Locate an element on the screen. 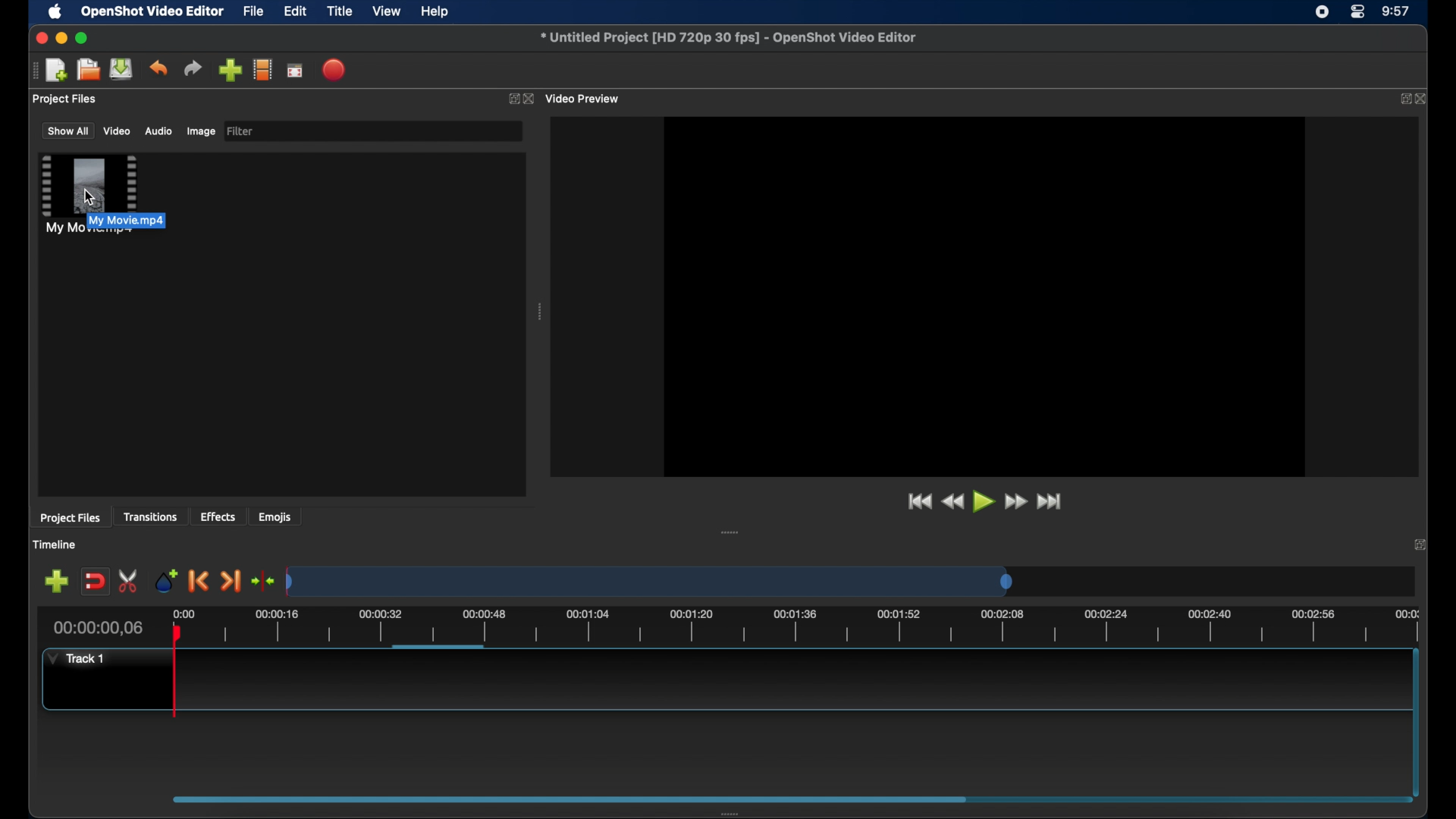 This screenshot has height=819, width=1456. drag handle is located at coordinates (34, 71).